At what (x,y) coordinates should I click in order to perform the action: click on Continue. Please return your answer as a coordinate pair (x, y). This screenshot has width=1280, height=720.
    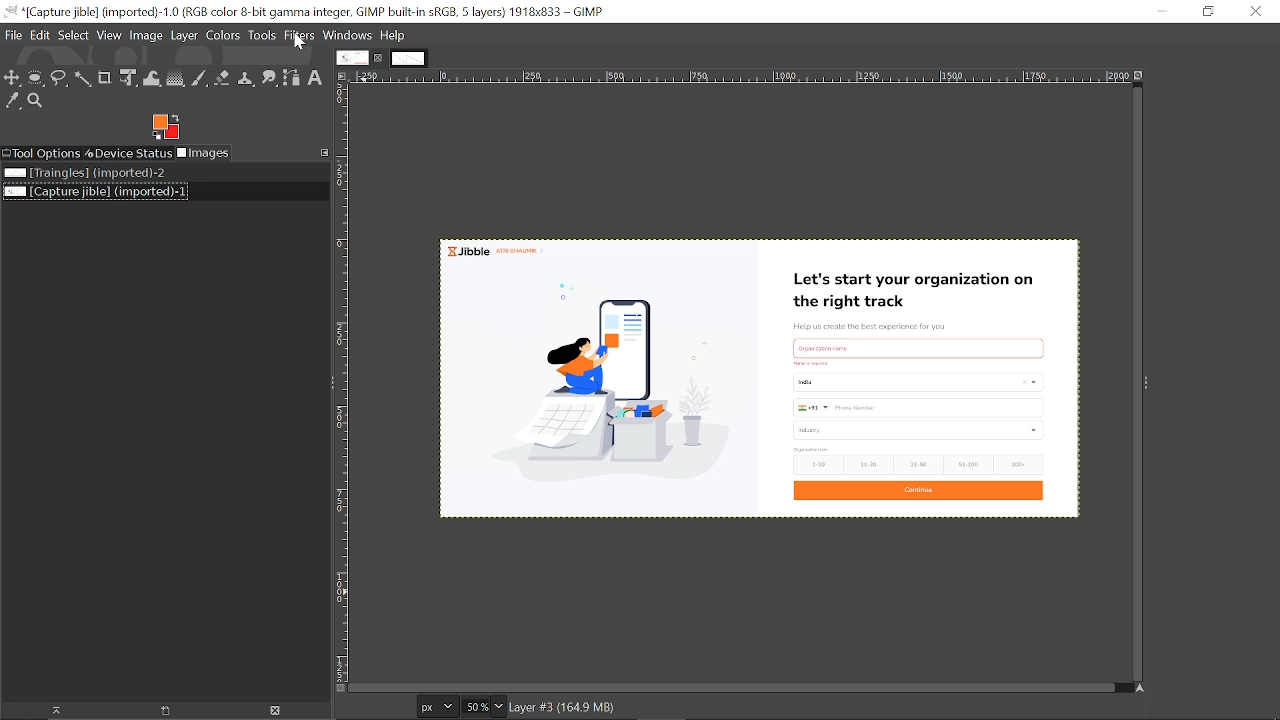
    Looking at the image, I should click on (921, 491).